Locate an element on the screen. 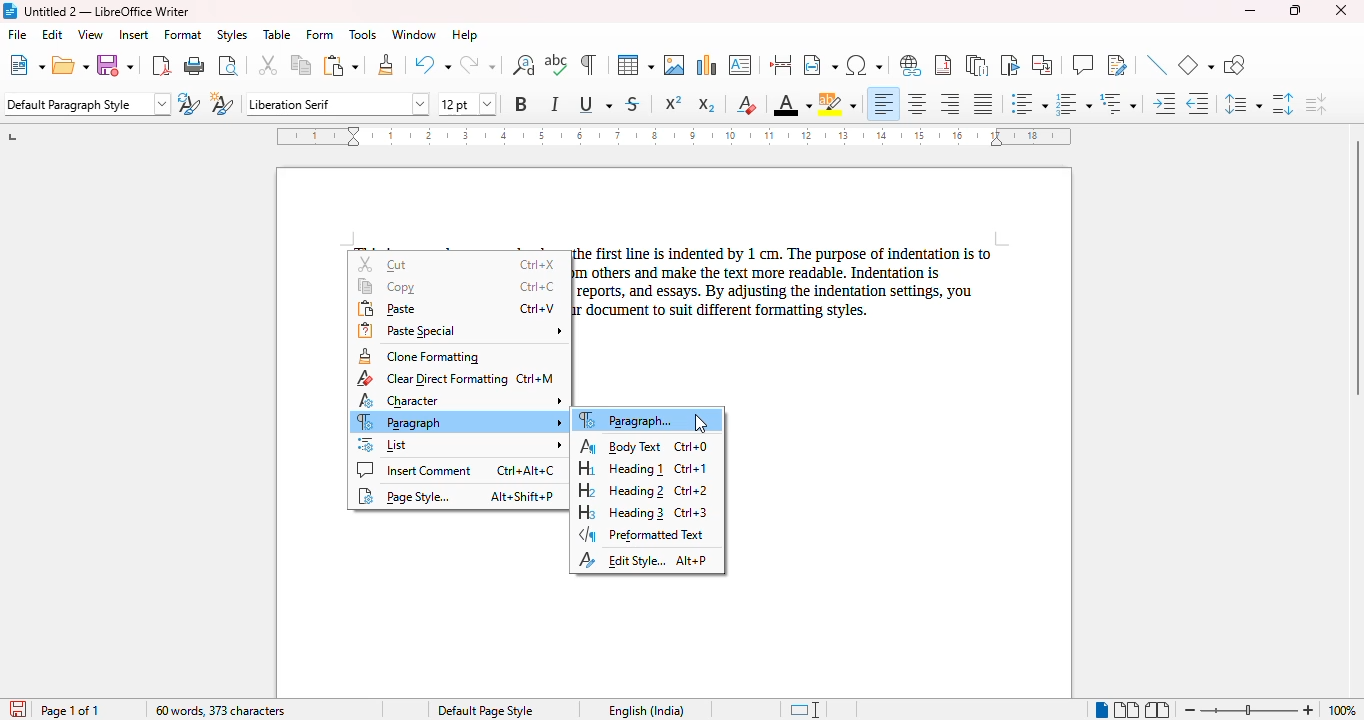 This screenshot has width=1364, height=720. paste is located at coordinates (456, 309).